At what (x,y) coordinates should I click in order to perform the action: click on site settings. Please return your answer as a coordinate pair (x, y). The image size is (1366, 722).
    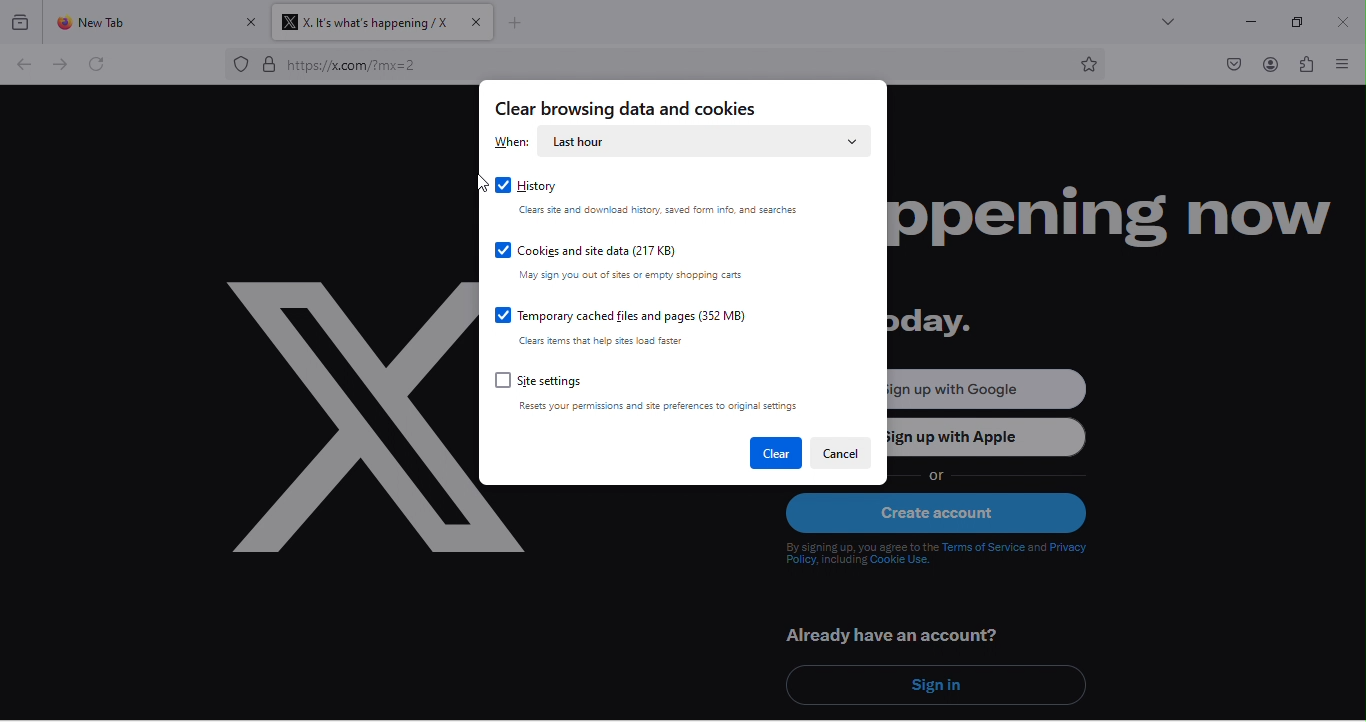
    Looking at the image, I should click on (654, 392).